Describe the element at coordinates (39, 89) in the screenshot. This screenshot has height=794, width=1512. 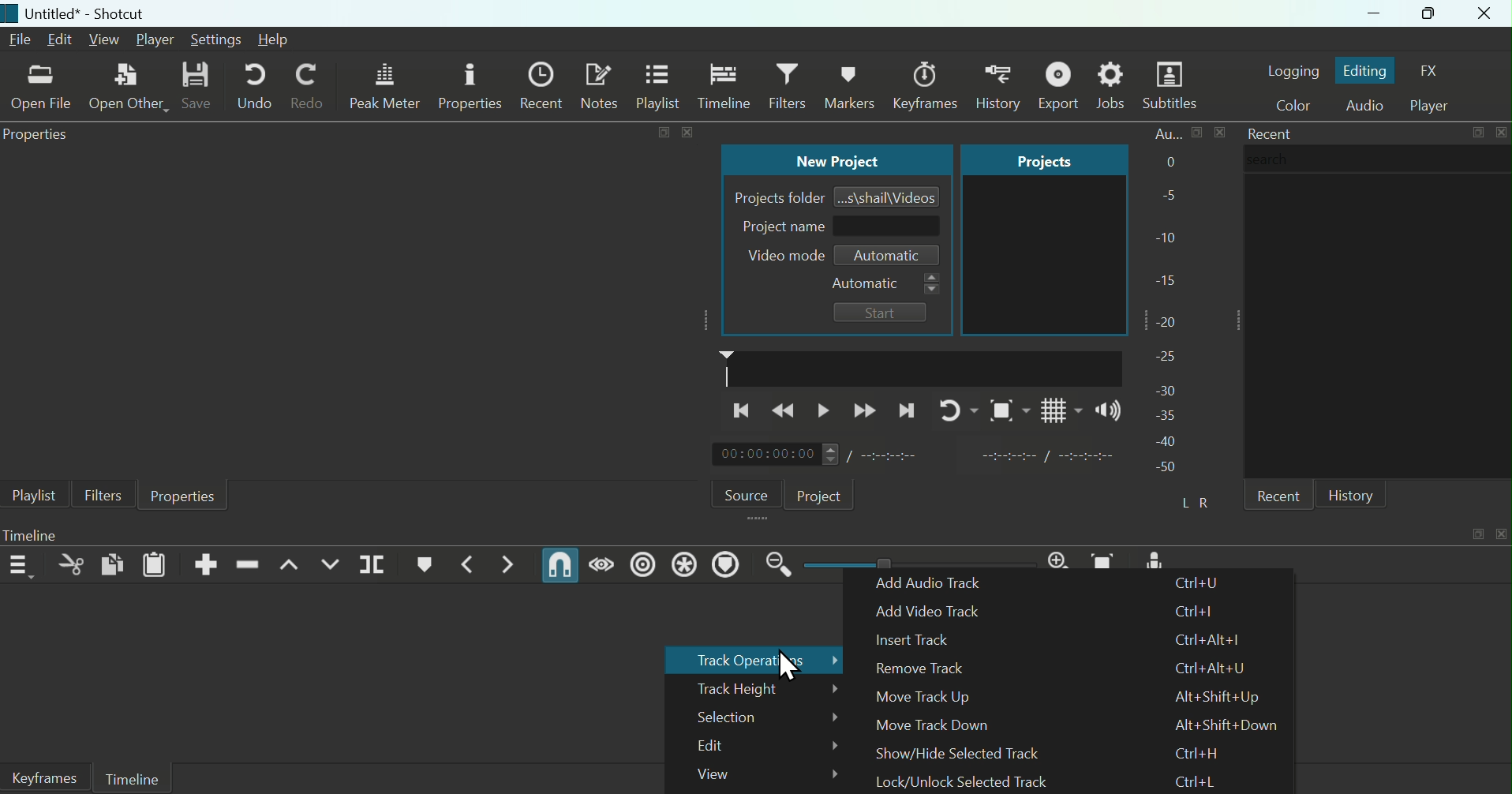
I see `Open File` at that location.